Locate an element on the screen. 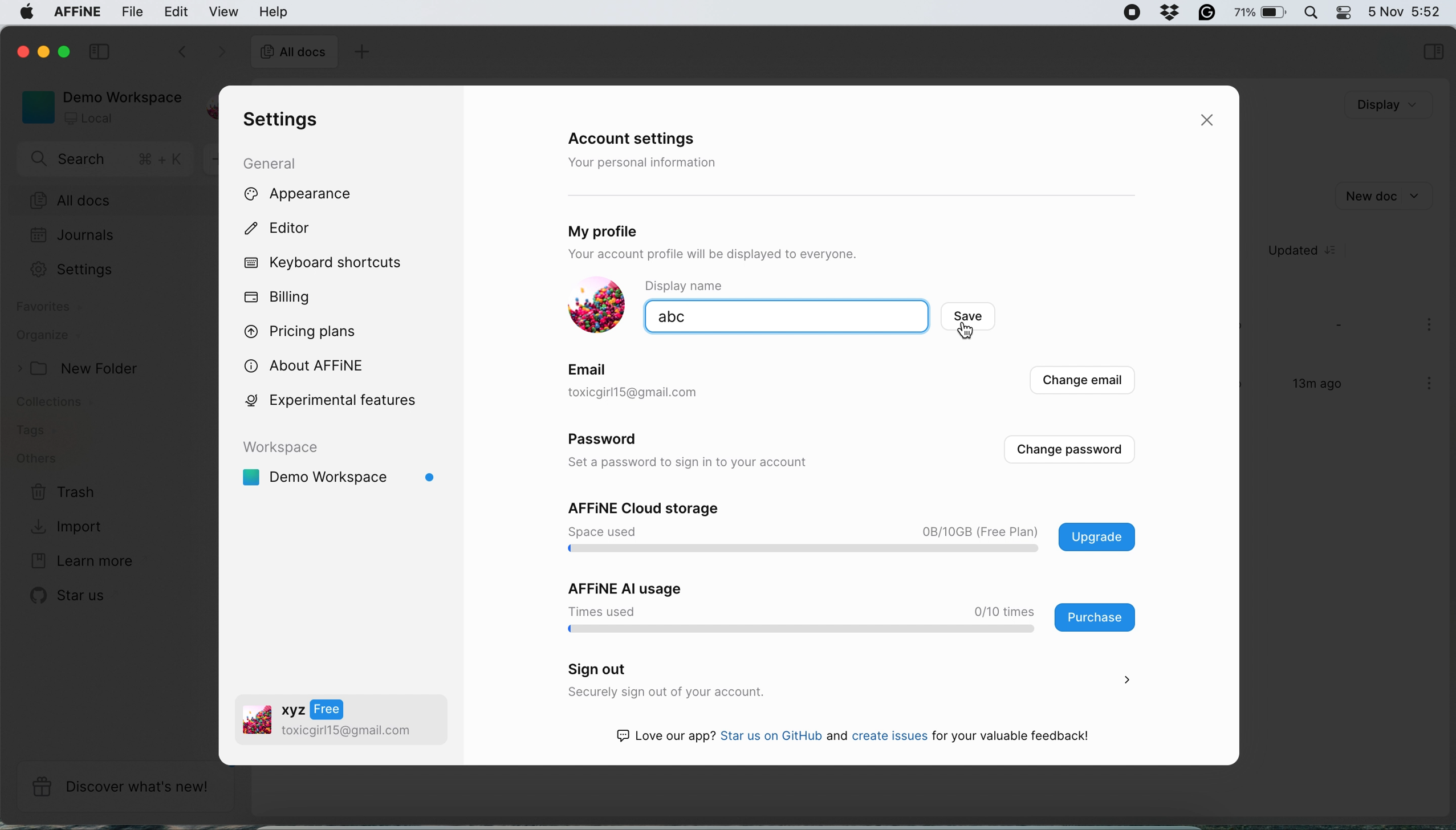 The height and width of the screenshot is (830, 1456). abc is located at coordinates (717, 317).